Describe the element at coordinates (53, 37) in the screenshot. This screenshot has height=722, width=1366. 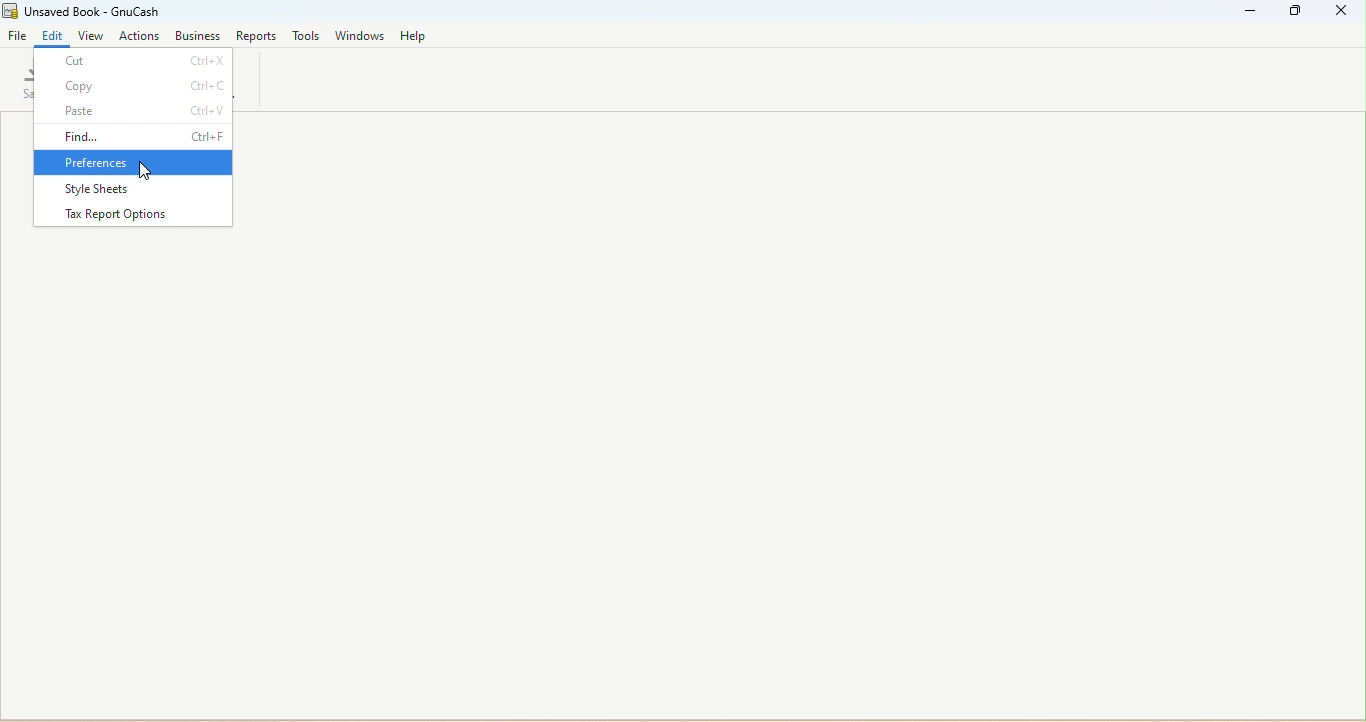
I see `Edit` at that location.